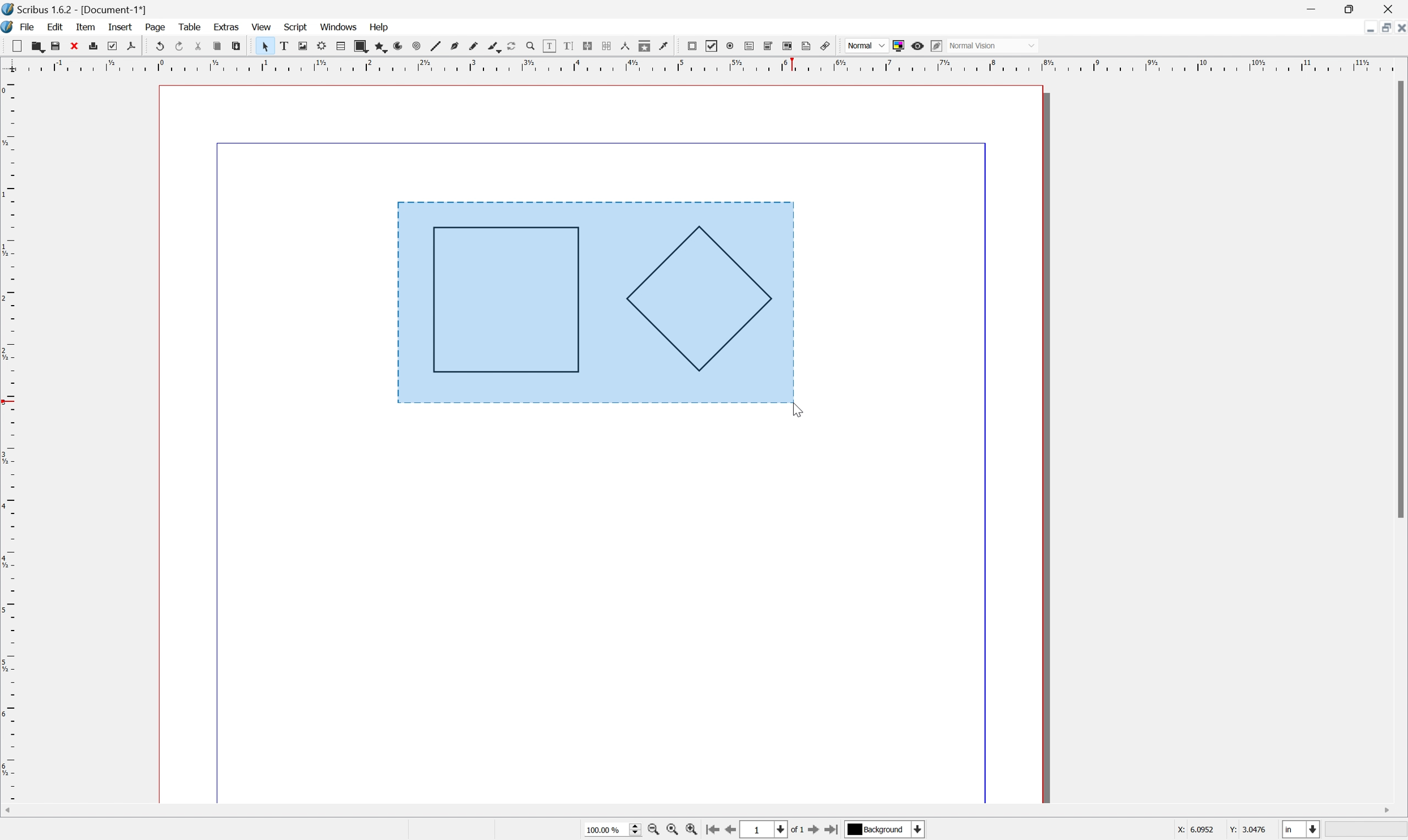  I want to click on print, so click(92, 46).